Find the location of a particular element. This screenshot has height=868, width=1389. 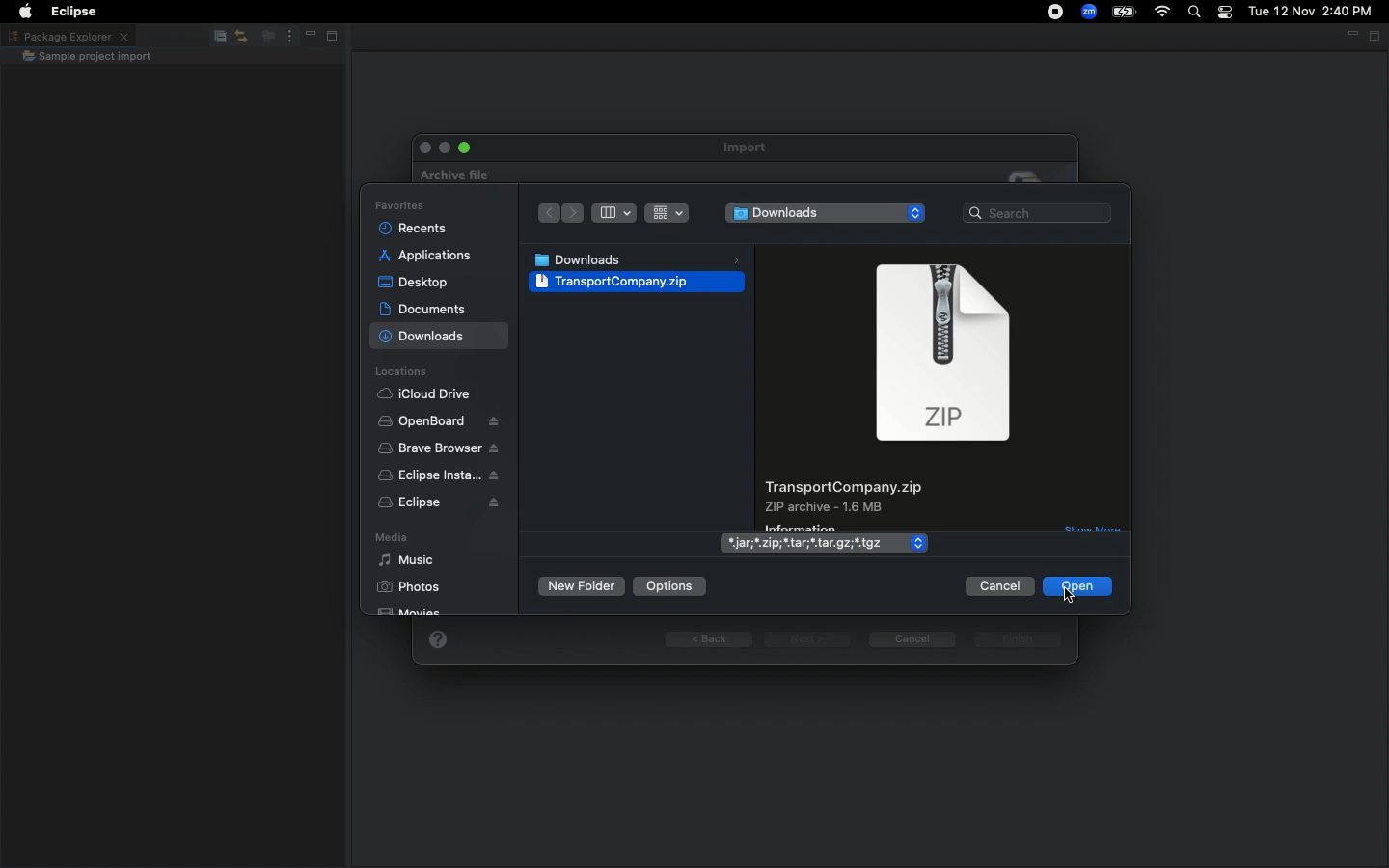

Favorites is located at coordinates (396, 205).